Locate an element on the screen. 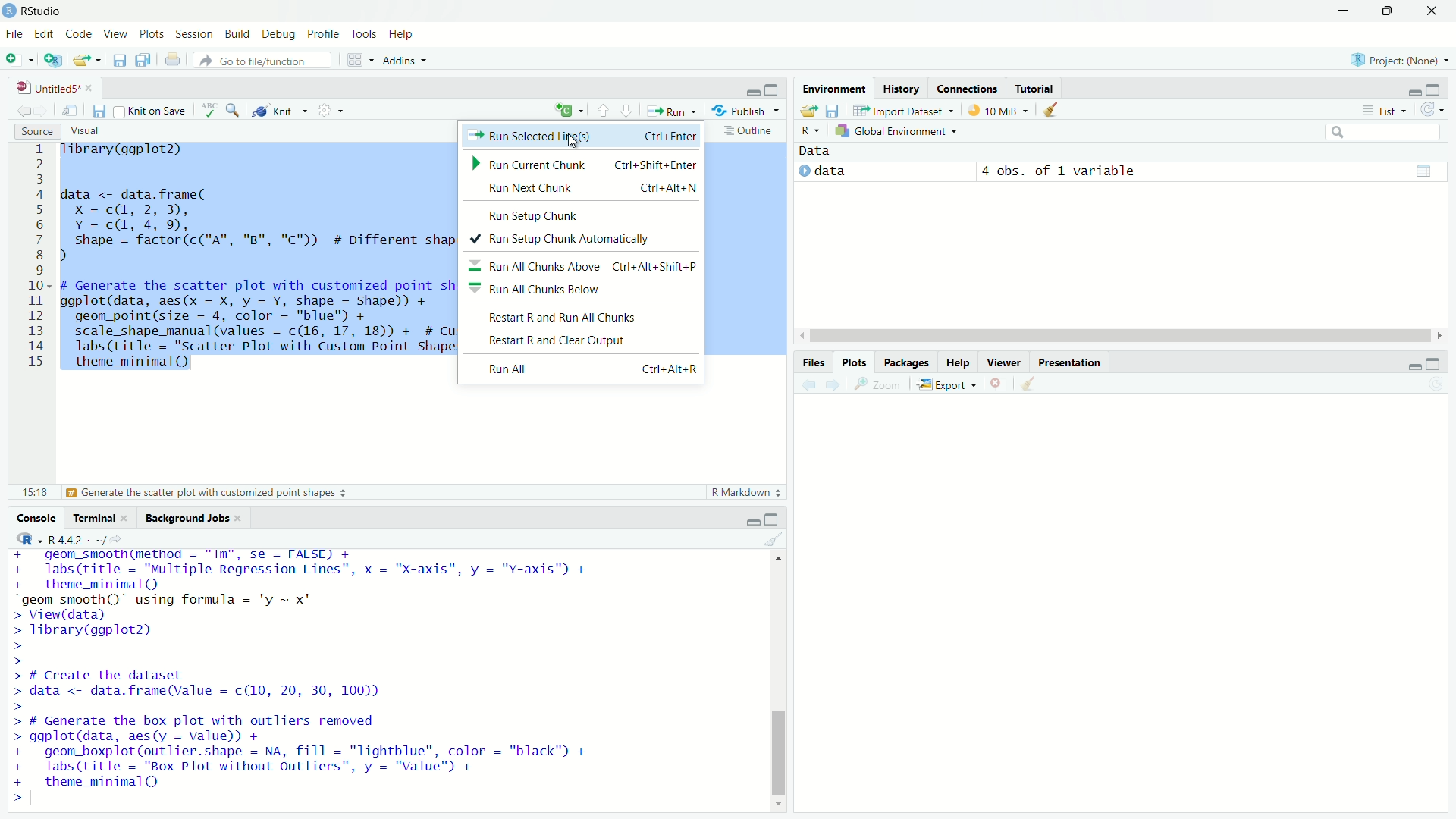 This screenshot has width=1456, height=819. vertical scroll bar is located at coordinates (779, 682).